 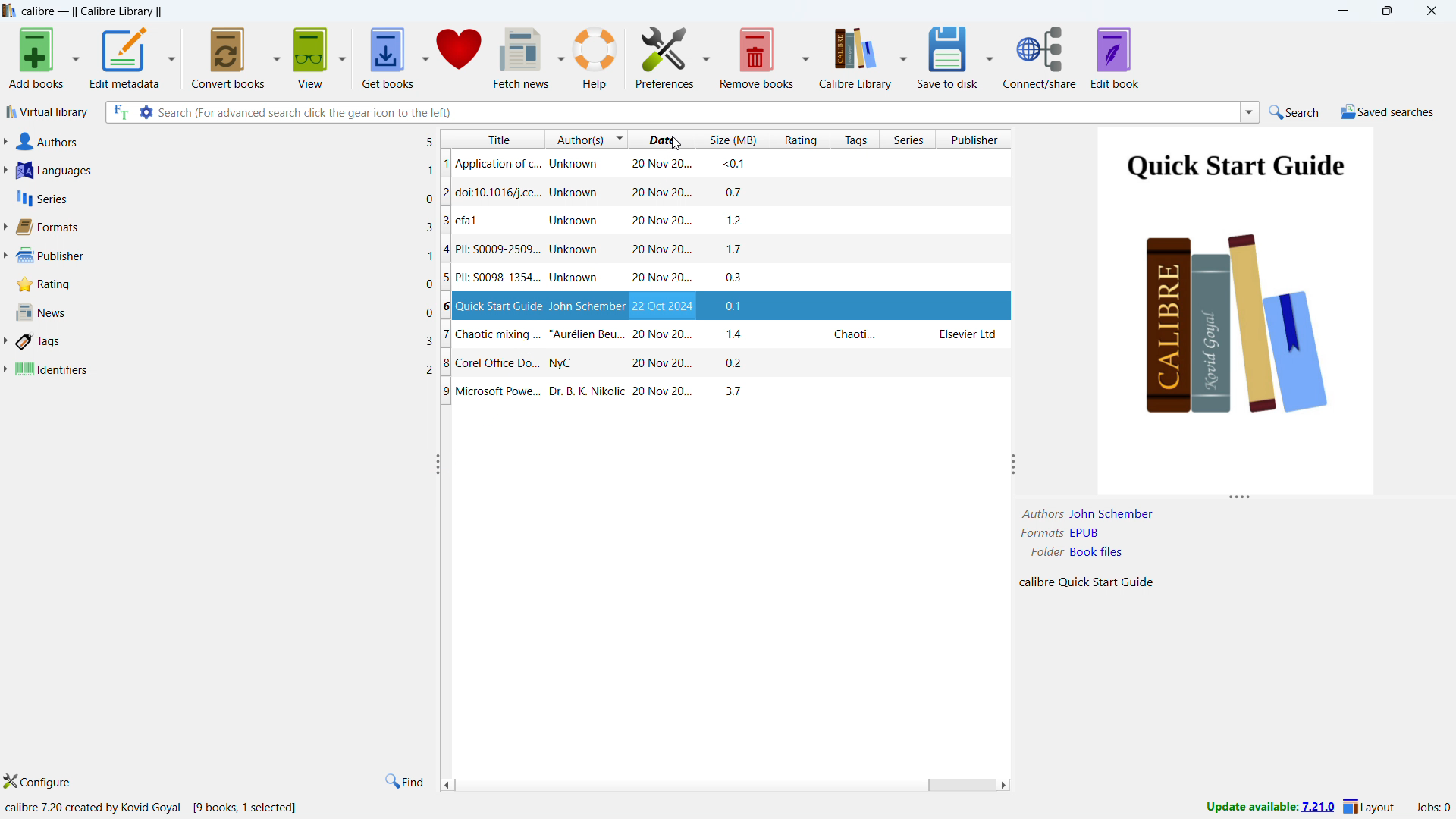 I want to click on  search, so click(x=1292, y=112).